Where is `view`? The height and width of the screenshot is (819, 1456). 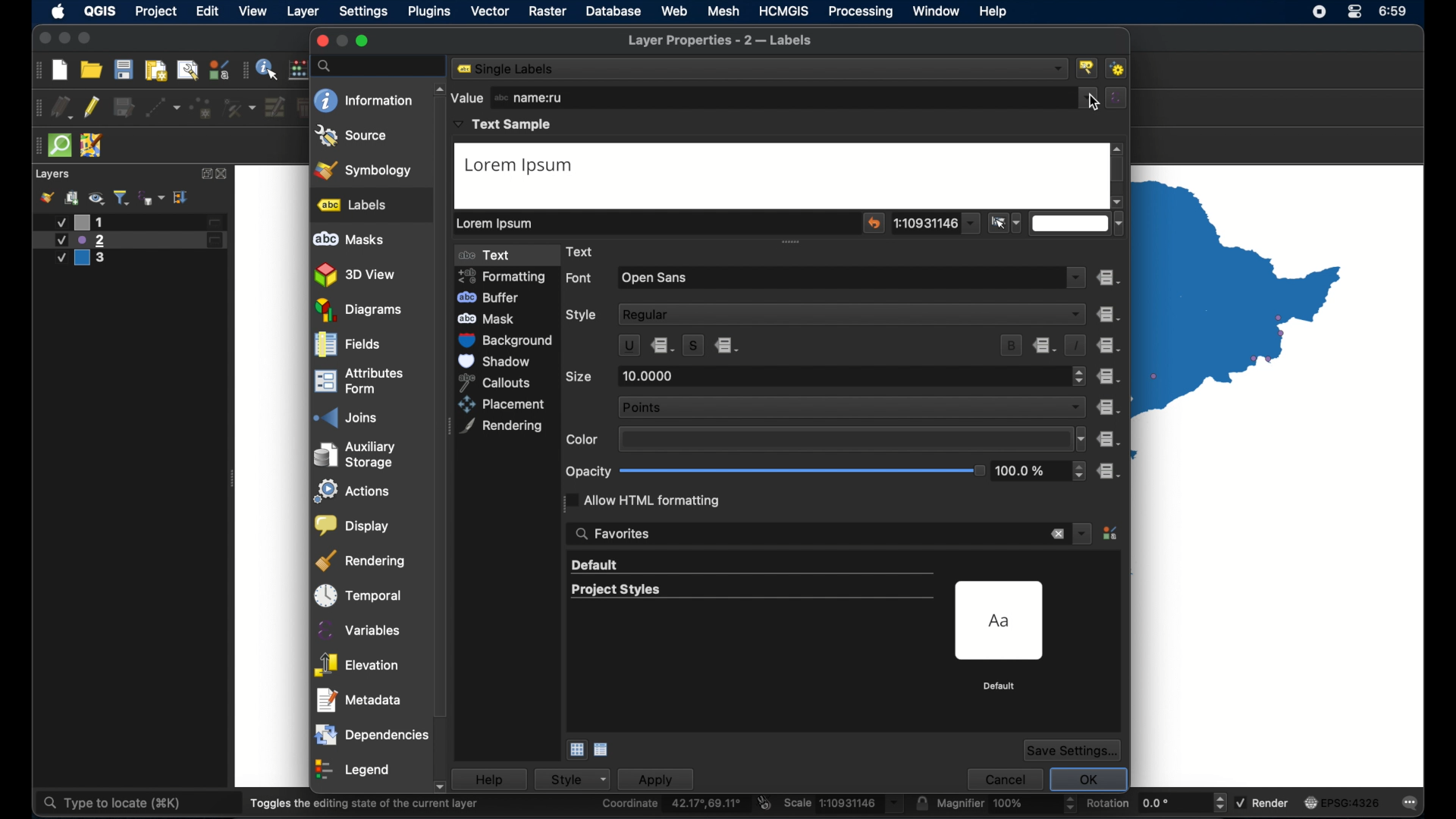
view is located at coordinates (254, 11).